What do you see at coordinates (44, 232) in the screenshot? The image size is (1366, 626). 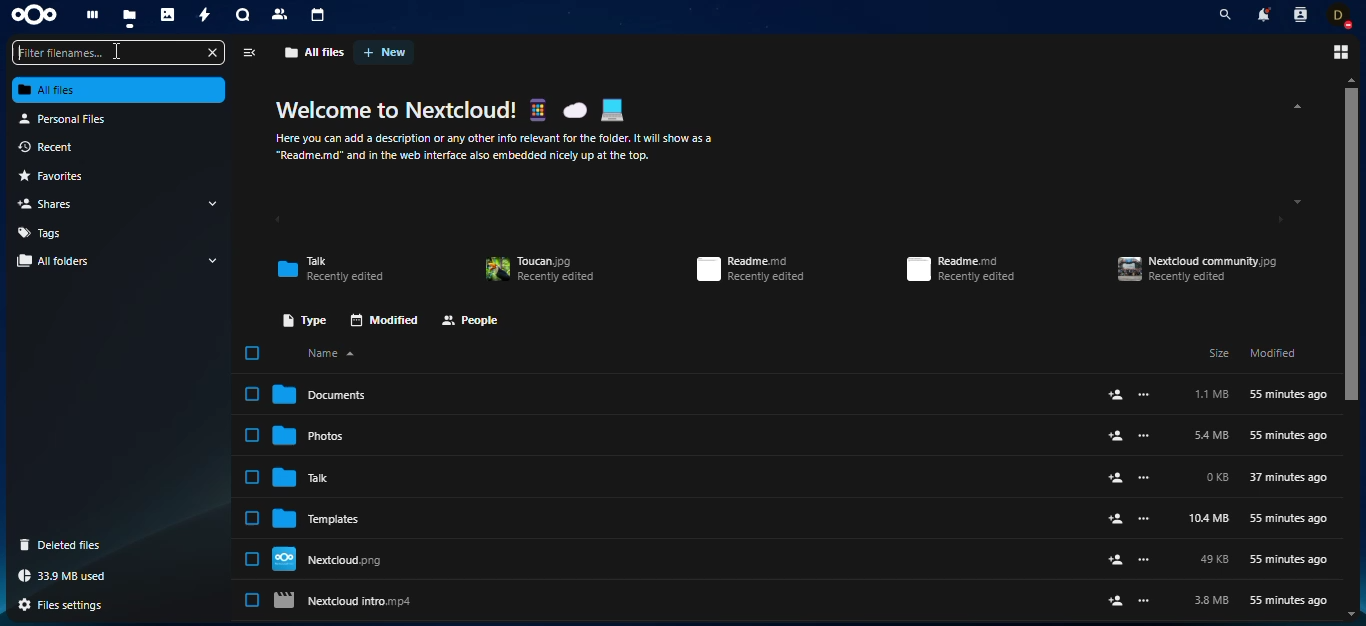 I see `tags` at bounding box center [44, 232].